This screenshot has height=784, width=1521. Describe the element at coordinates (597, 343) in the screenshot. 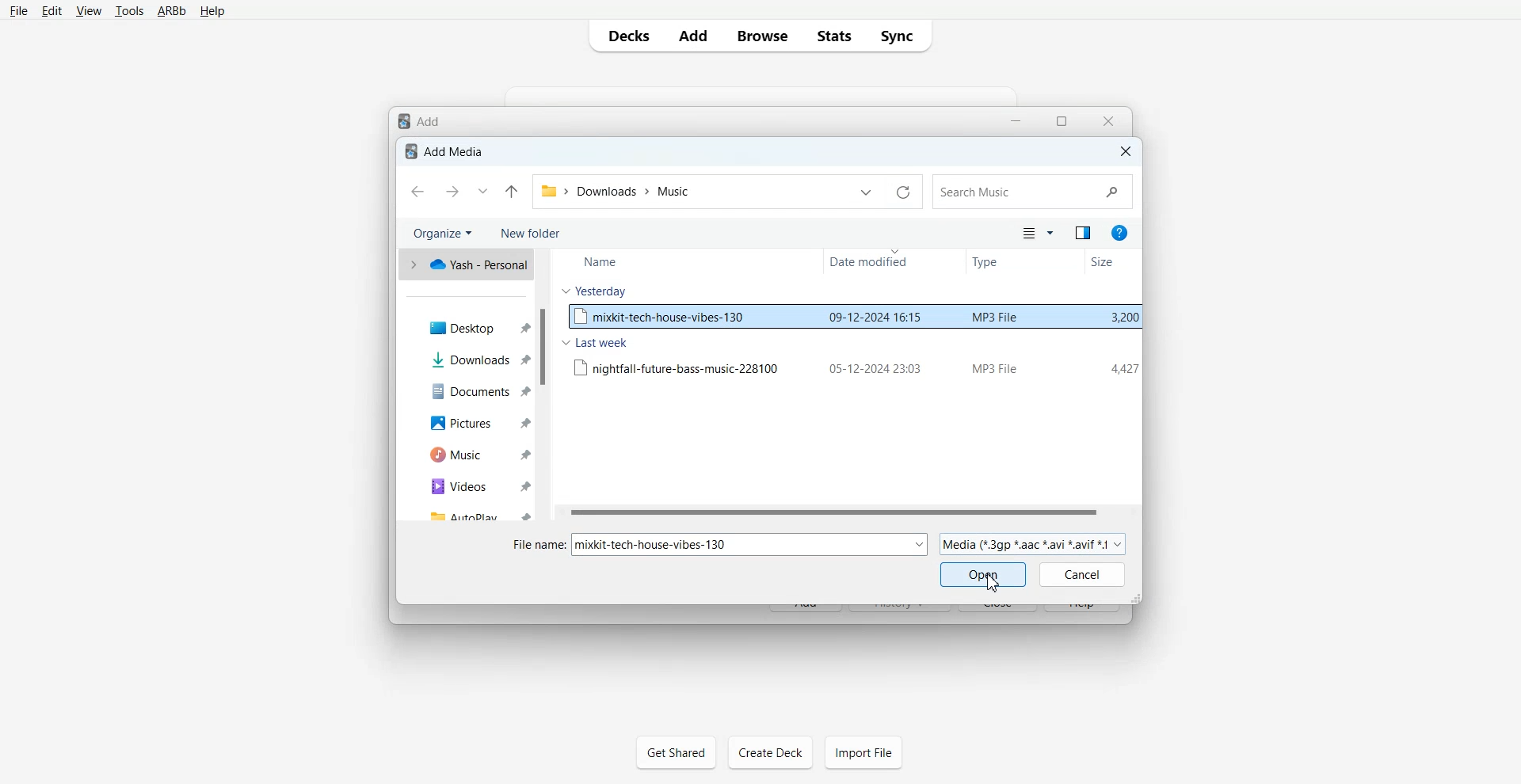

I see `Last week` at that location.